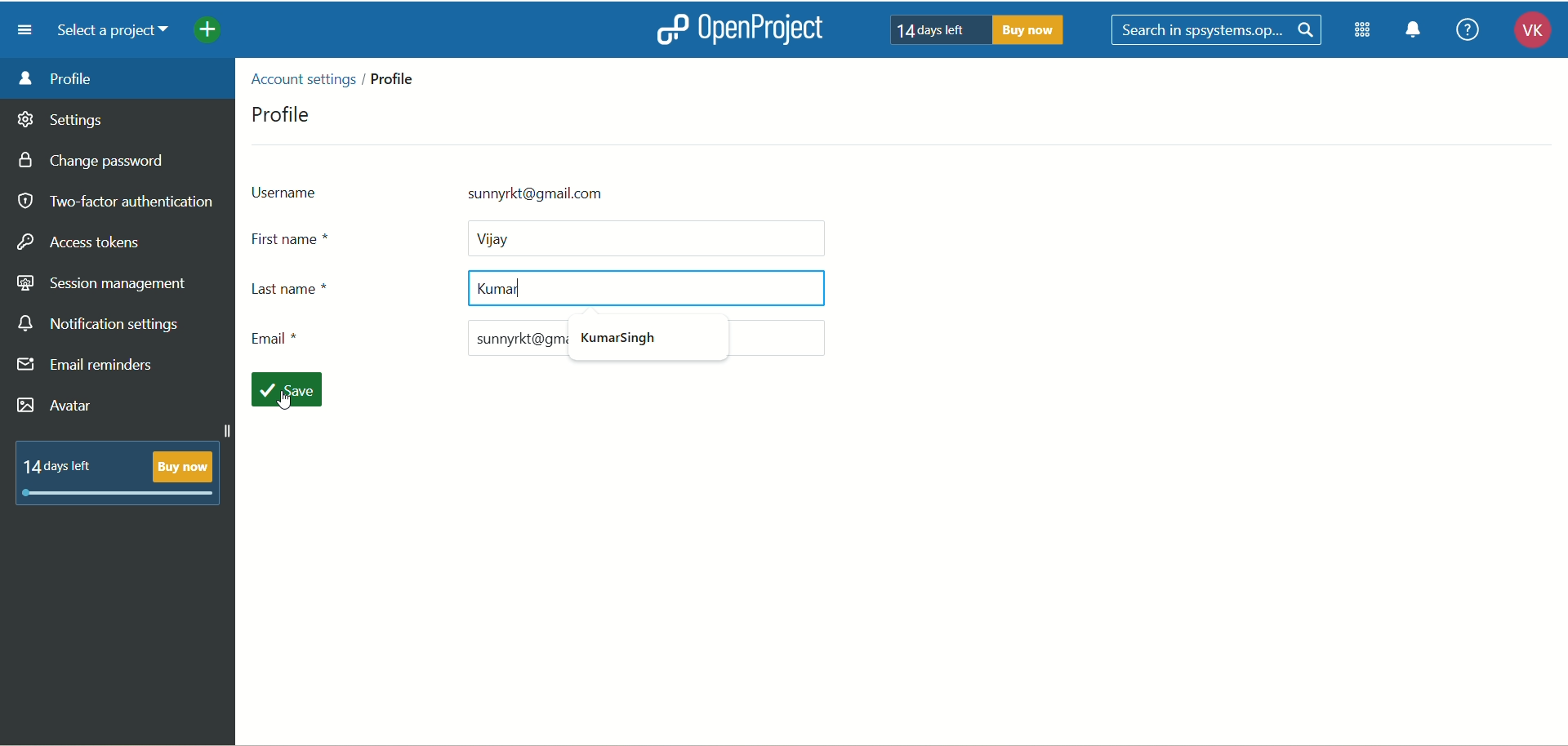  Describe the element at coordinates (114, 202) in the screenshot. I see `two-factor authentication` at that location.